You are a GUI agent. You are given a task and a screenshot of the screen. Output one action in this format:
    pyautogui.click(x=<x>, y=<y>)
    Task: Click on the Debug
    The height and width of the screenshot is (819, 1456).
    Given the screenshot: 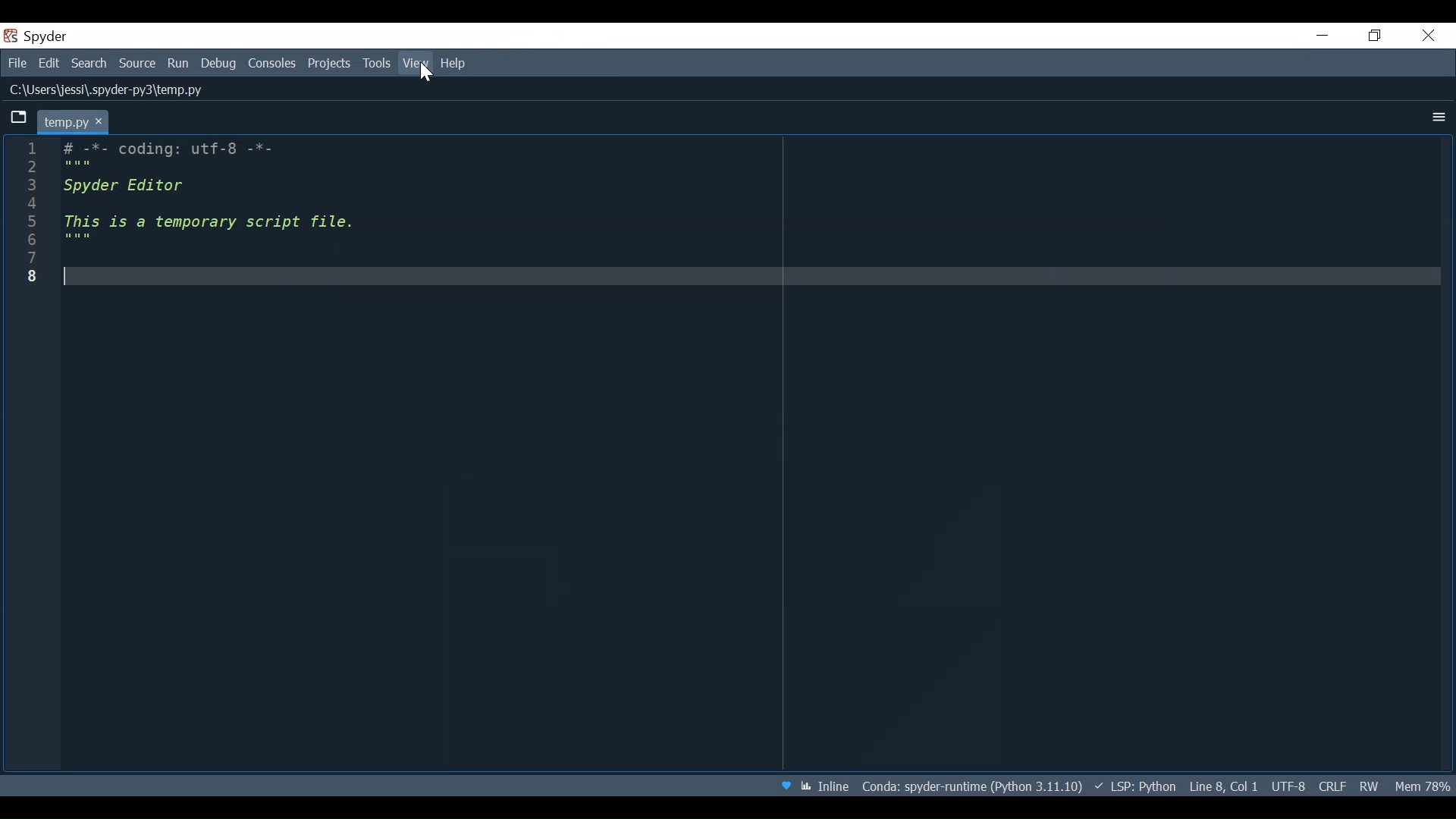 What is the action you would take?
    pyautogui.click(x=219, y=64)
    